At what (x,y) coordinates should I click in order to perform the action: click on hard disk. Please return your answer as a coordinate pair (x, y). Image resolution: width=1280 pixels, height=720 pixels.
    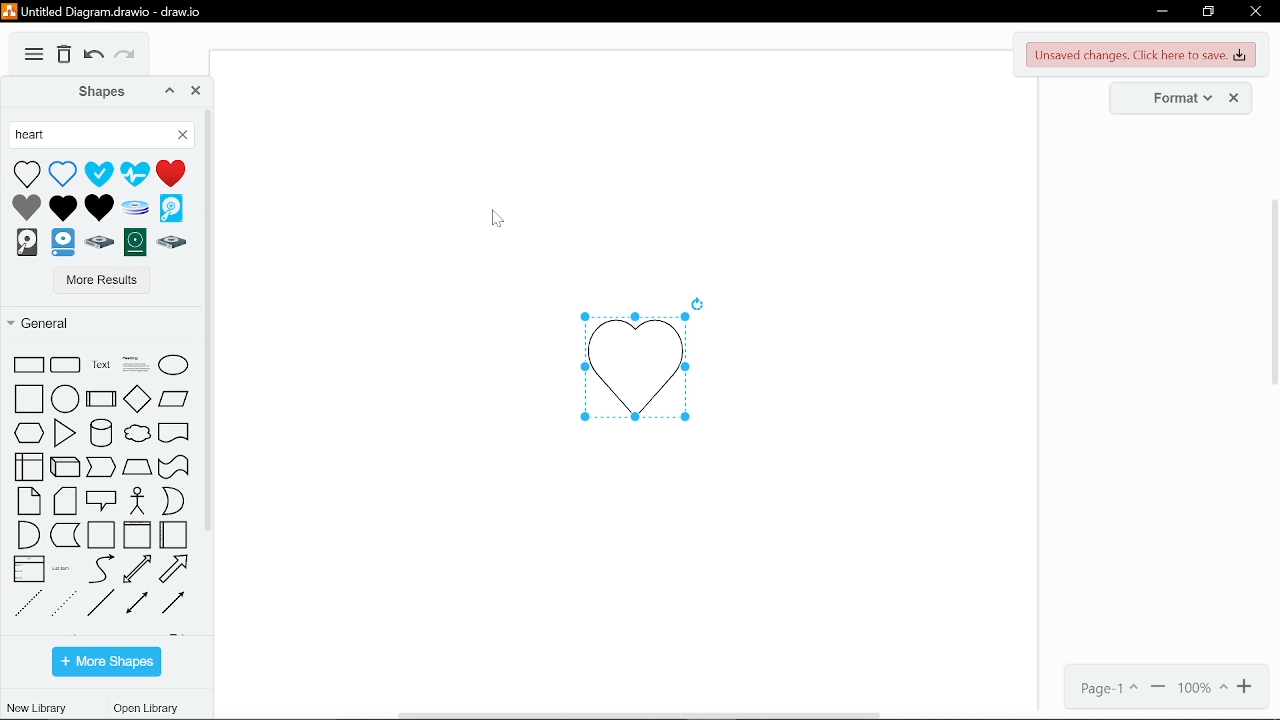
    Looking at the image, I should click on (26, 245).